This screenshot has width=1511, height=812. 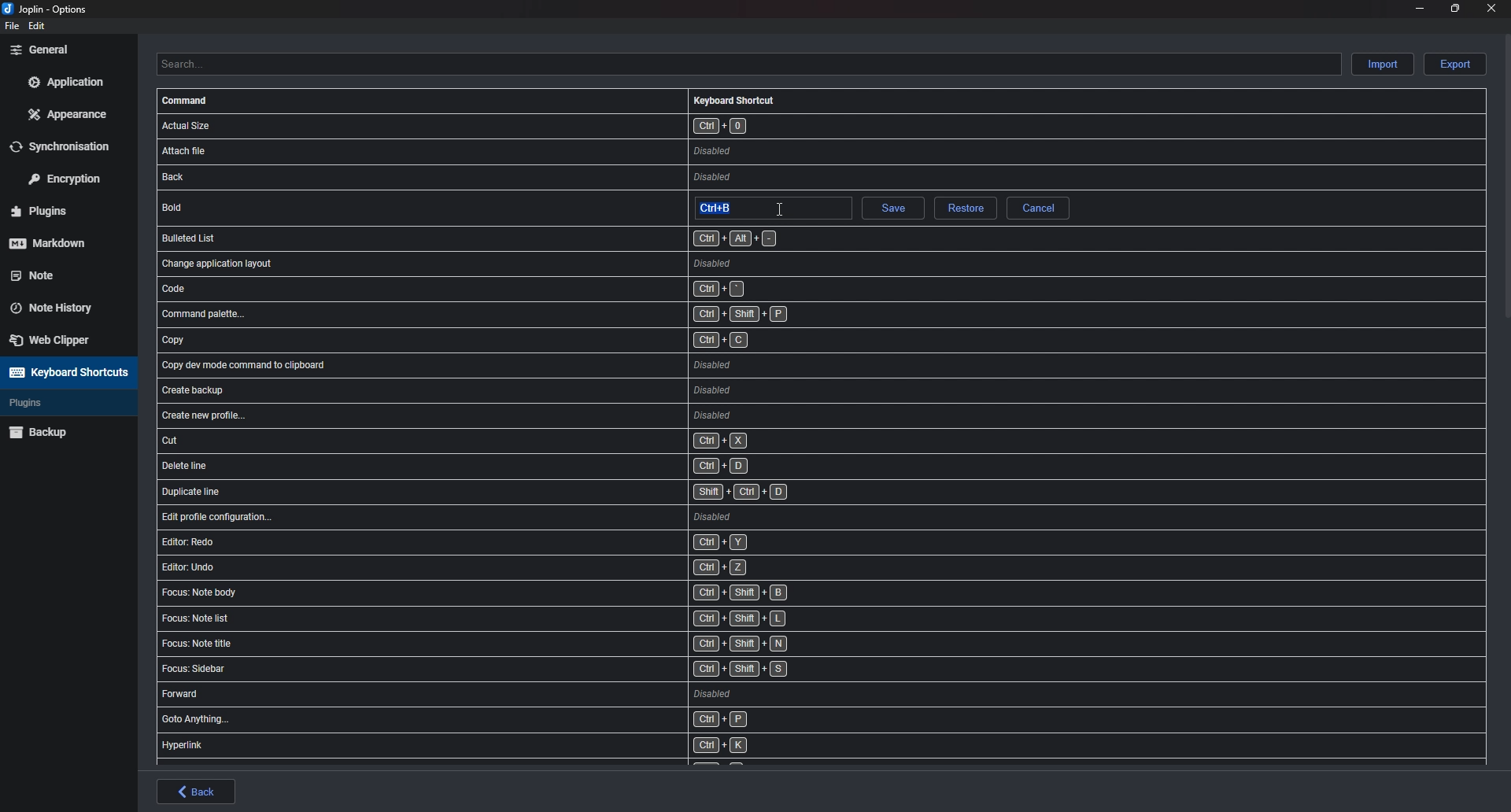 What do you see at coordinates (532, 125) in the screenshot?
I see `shortcut` at bounding box center [532, 125].